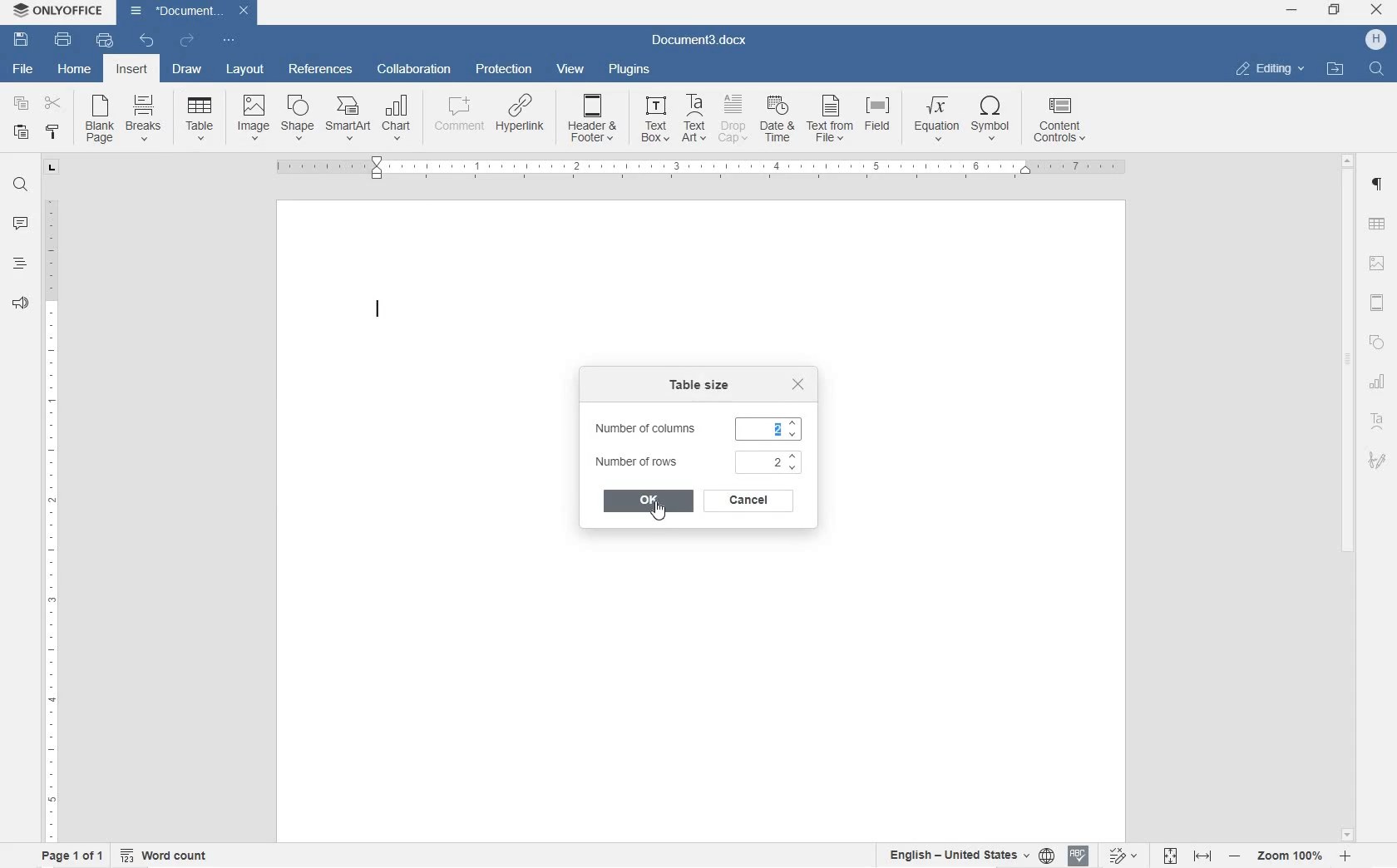 The image size is (1397, 868). Describe the element at coordinates (703, 169) in the screenshot. I see `Ruler` at that location.